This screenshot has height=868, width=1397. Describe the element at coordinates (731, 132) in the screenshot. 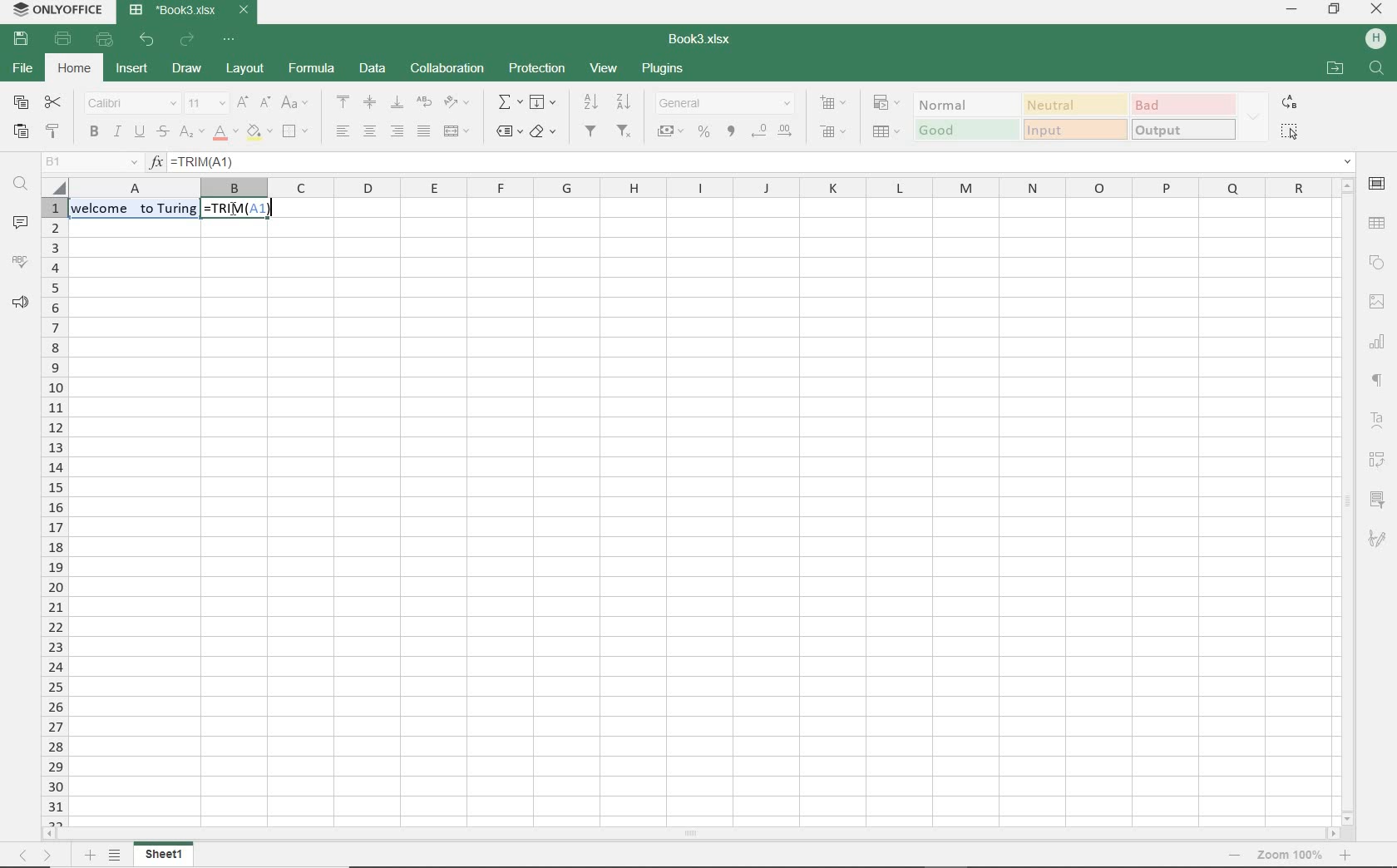

I see `comma style` at that location.